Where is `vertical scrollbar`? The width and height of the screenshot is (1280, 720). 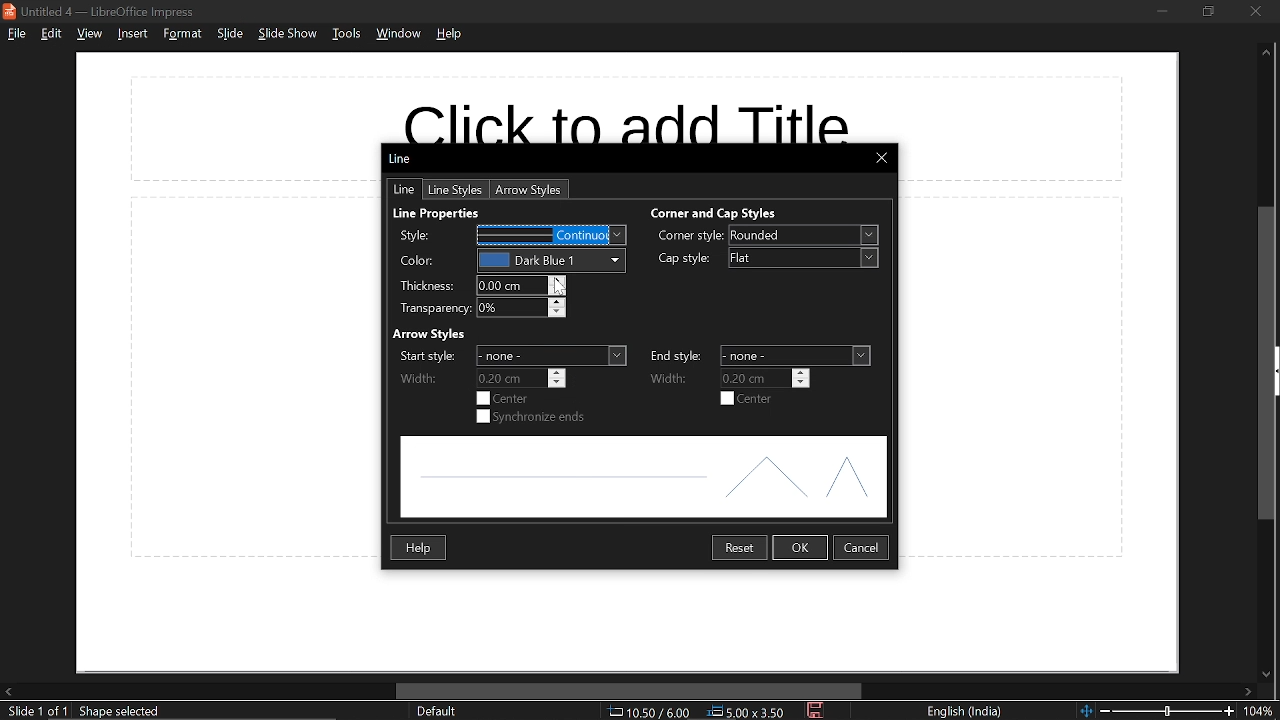 vertical scrollbar is located at coordinates (1269, 363).